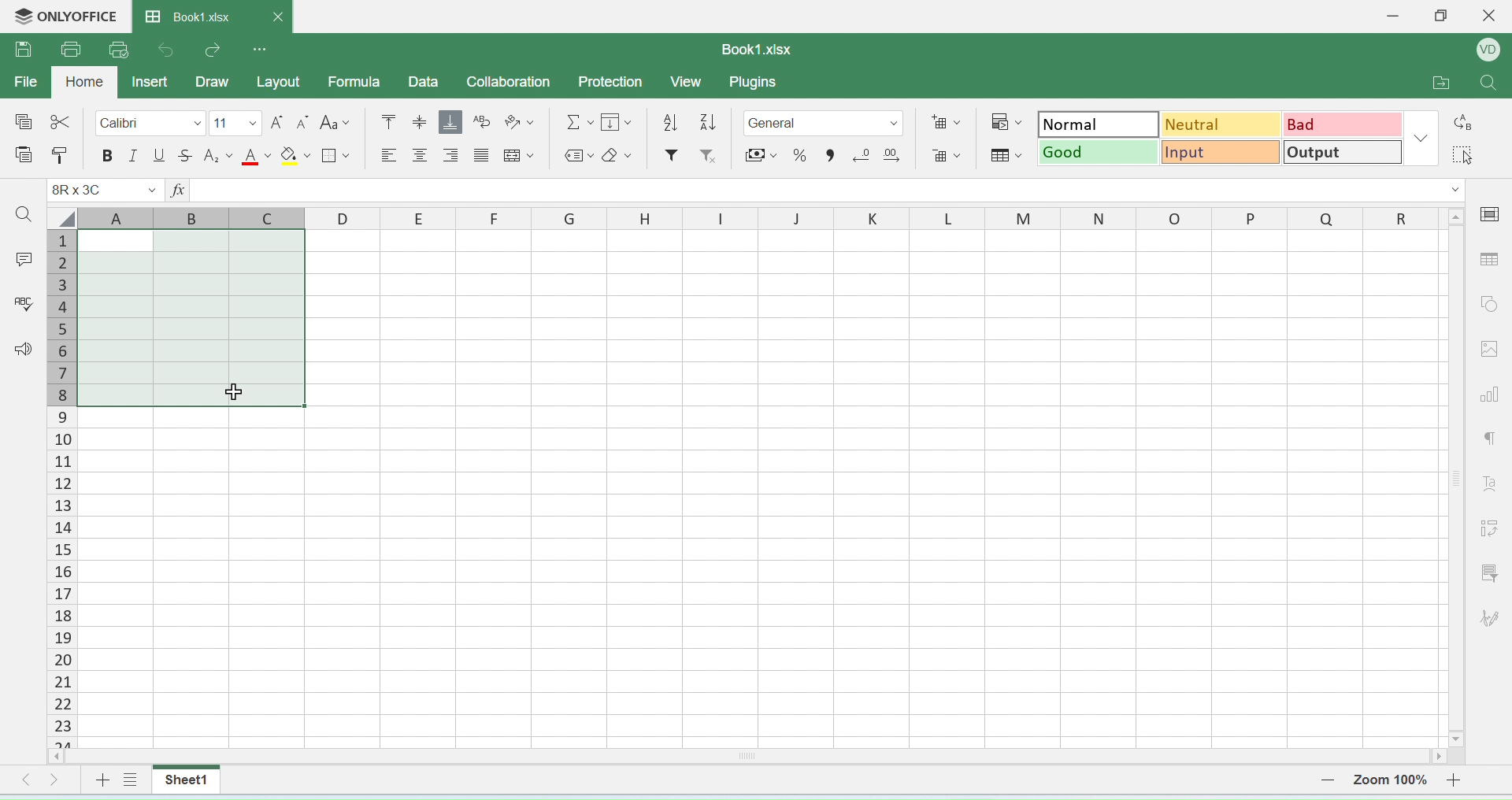 This screenshot has width=1512, height=800. What do you see at coordinates (1488, 487) in the screenshot?
I see `font style` at bounding box center [1488, 487].